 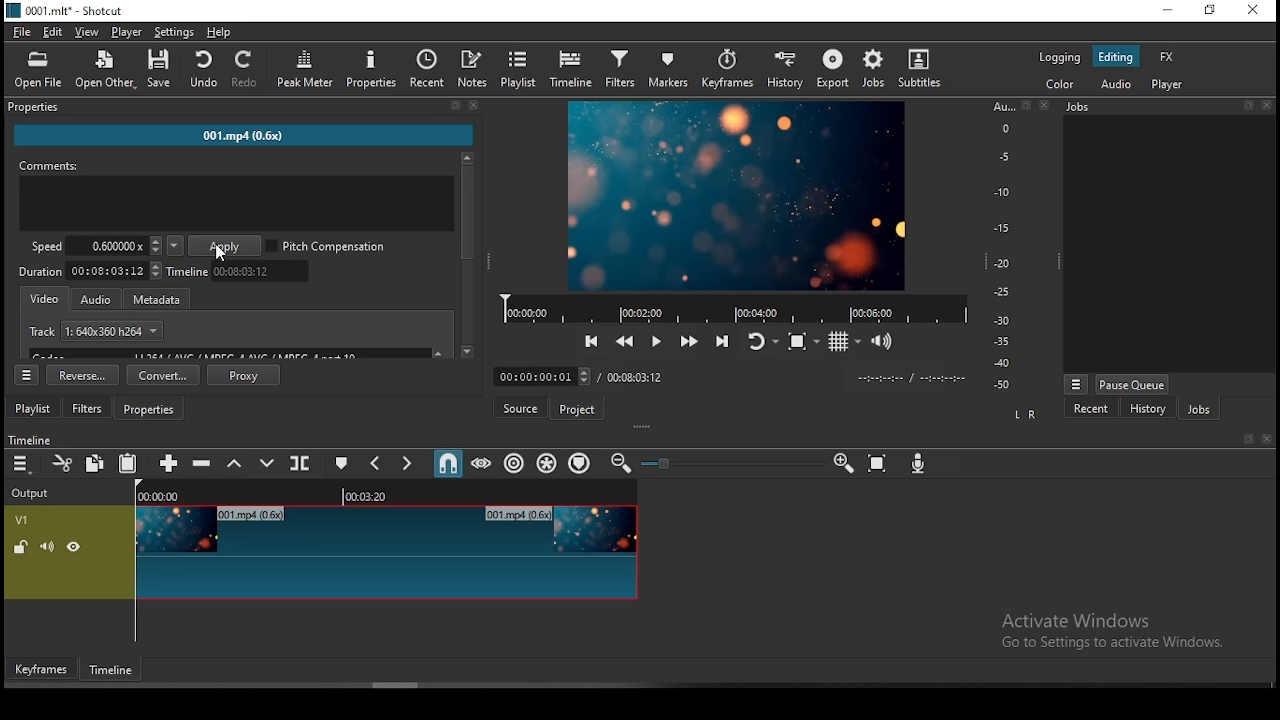 What do you see at coordinates (1255, 8) in the screenshot?
I see `close window` at bounding box center [1255, 8].